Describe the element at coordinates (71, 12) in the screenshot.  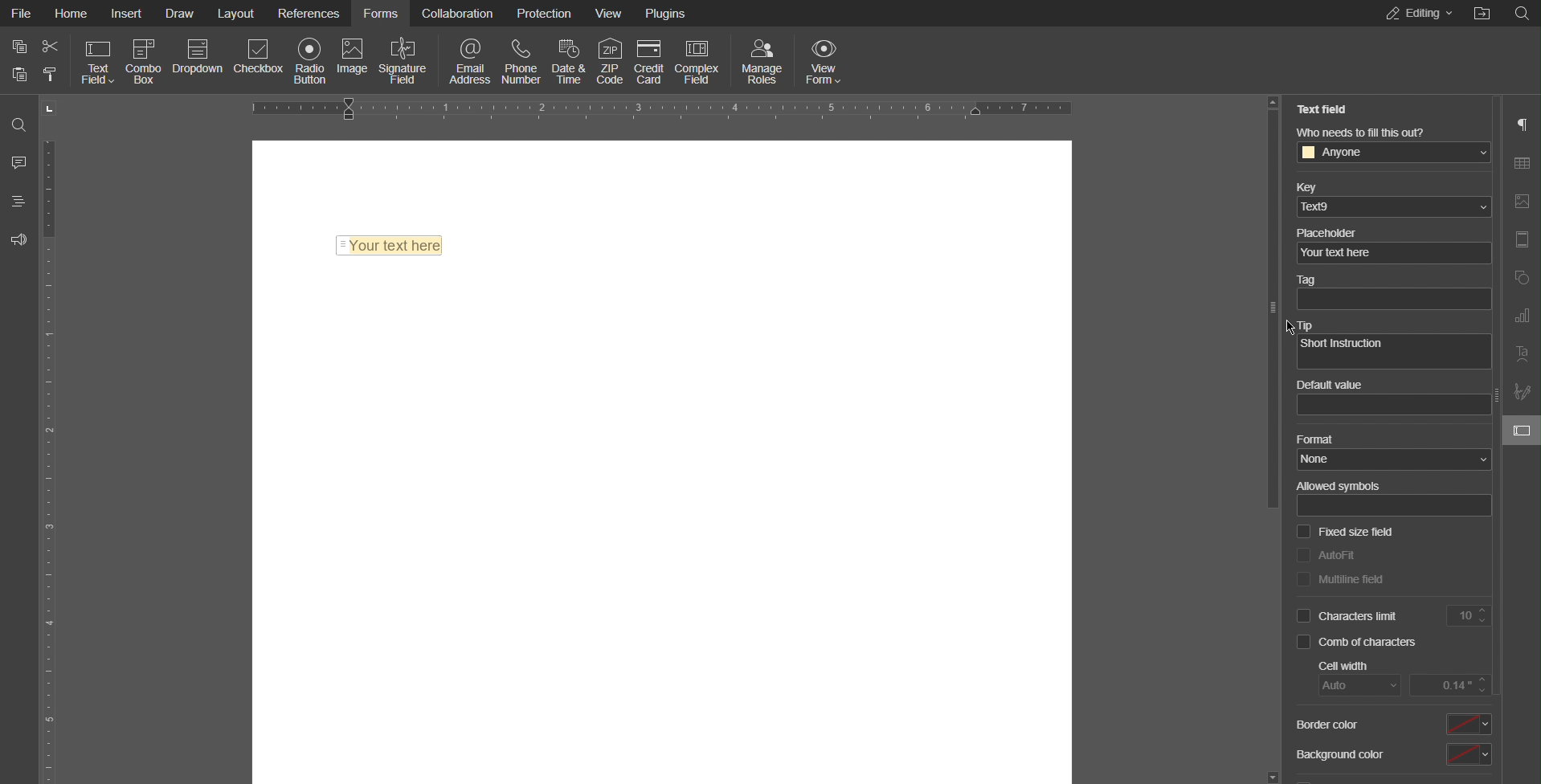
I see `Home` at that location.